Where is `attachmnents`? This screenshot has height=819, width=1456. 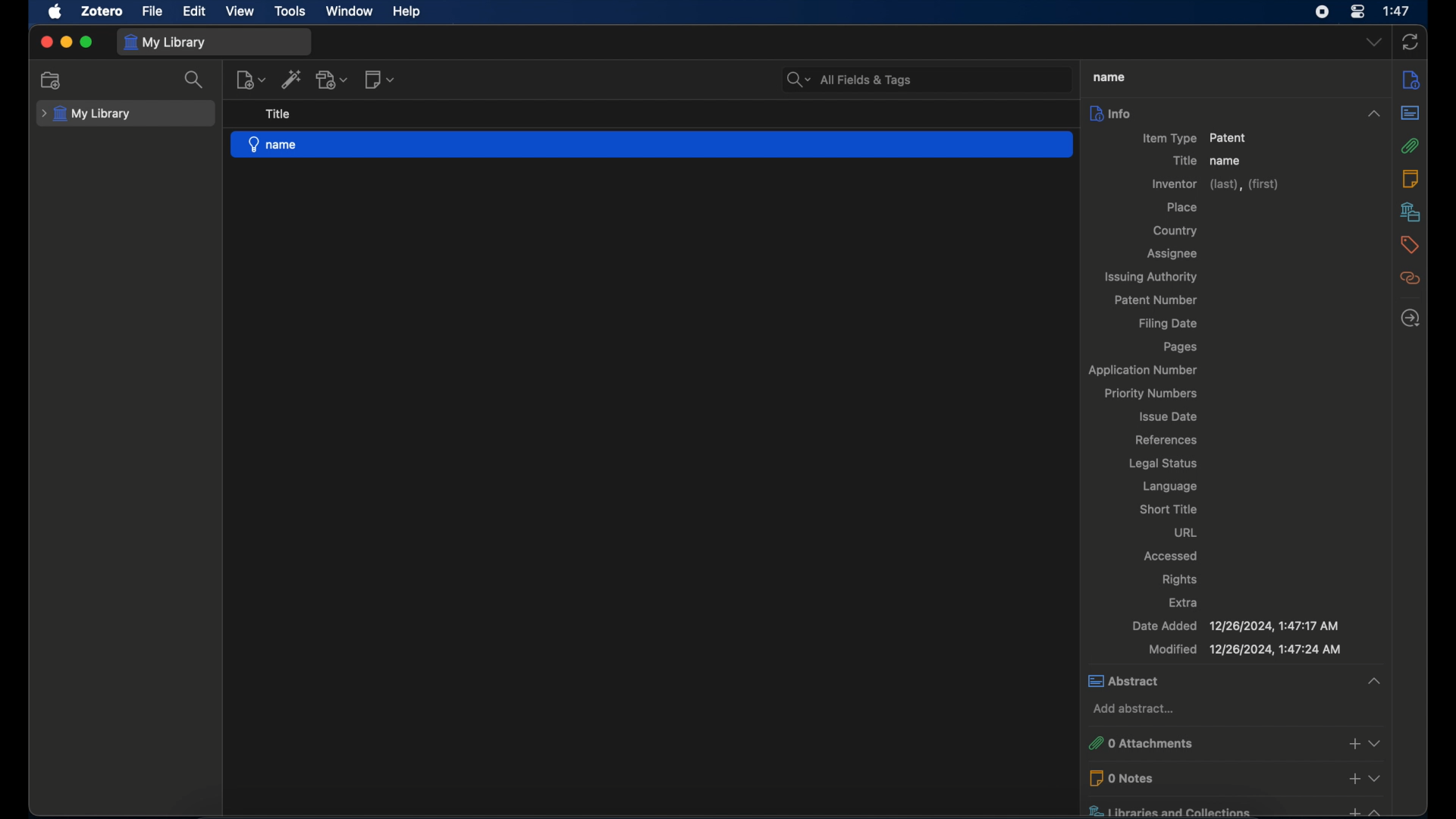
attachmnents is located at coordinates (1410, 146).